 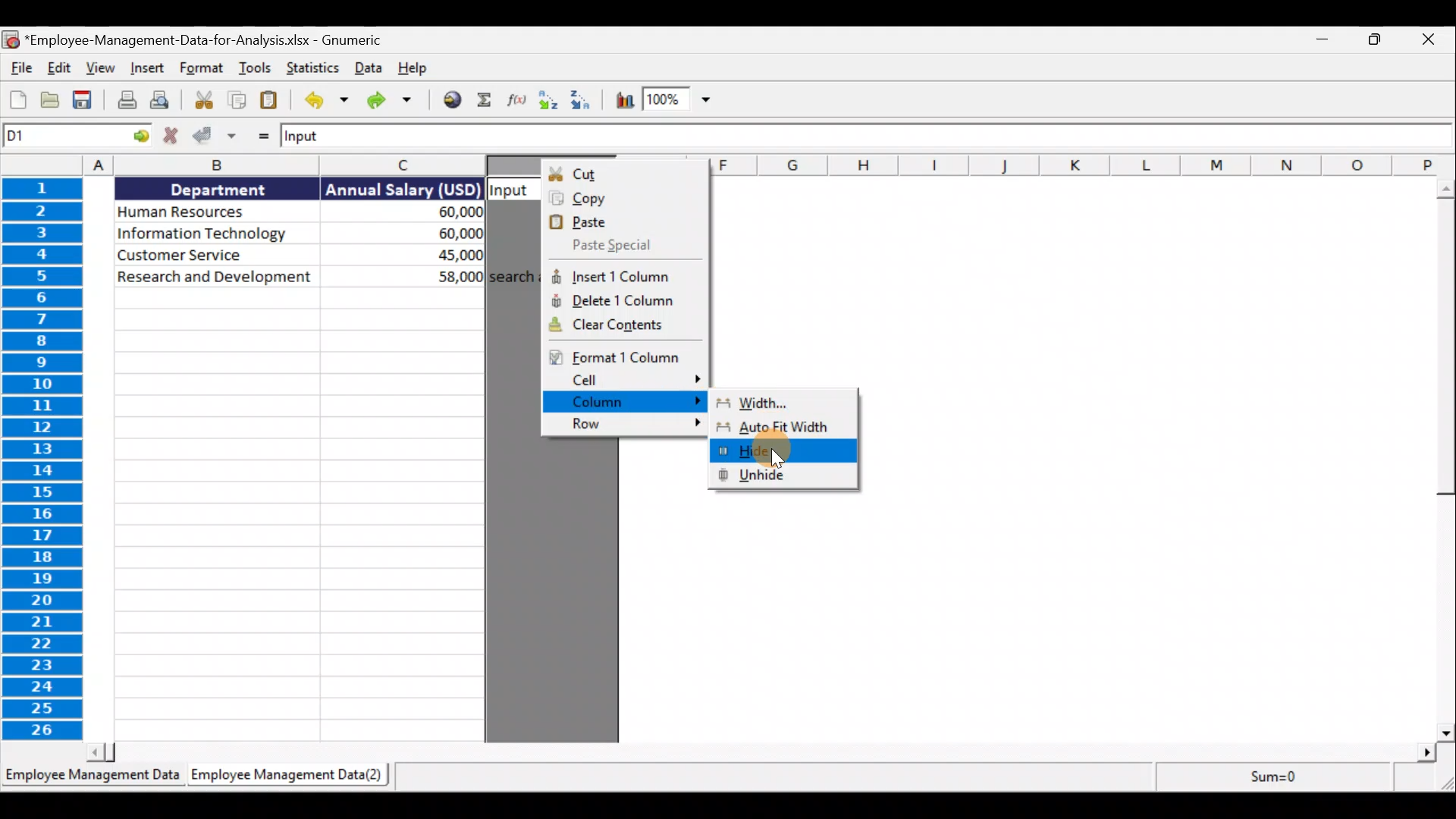 What do you see at coordinates (1084, 164) in the screenshot?
I see `columns` at bounding box center [1084, 164].